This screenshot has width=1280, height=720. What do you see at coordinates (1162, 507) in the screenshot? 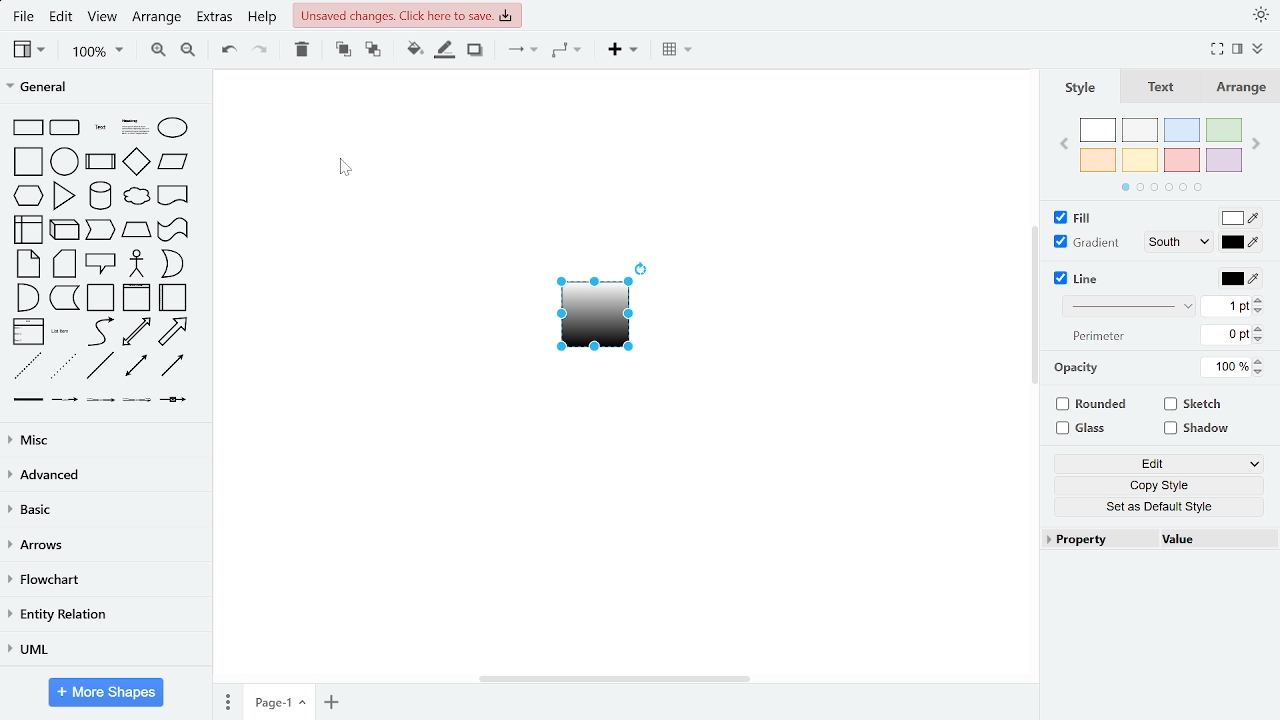
I see `set as default style` at bounding box center [1162, 507].